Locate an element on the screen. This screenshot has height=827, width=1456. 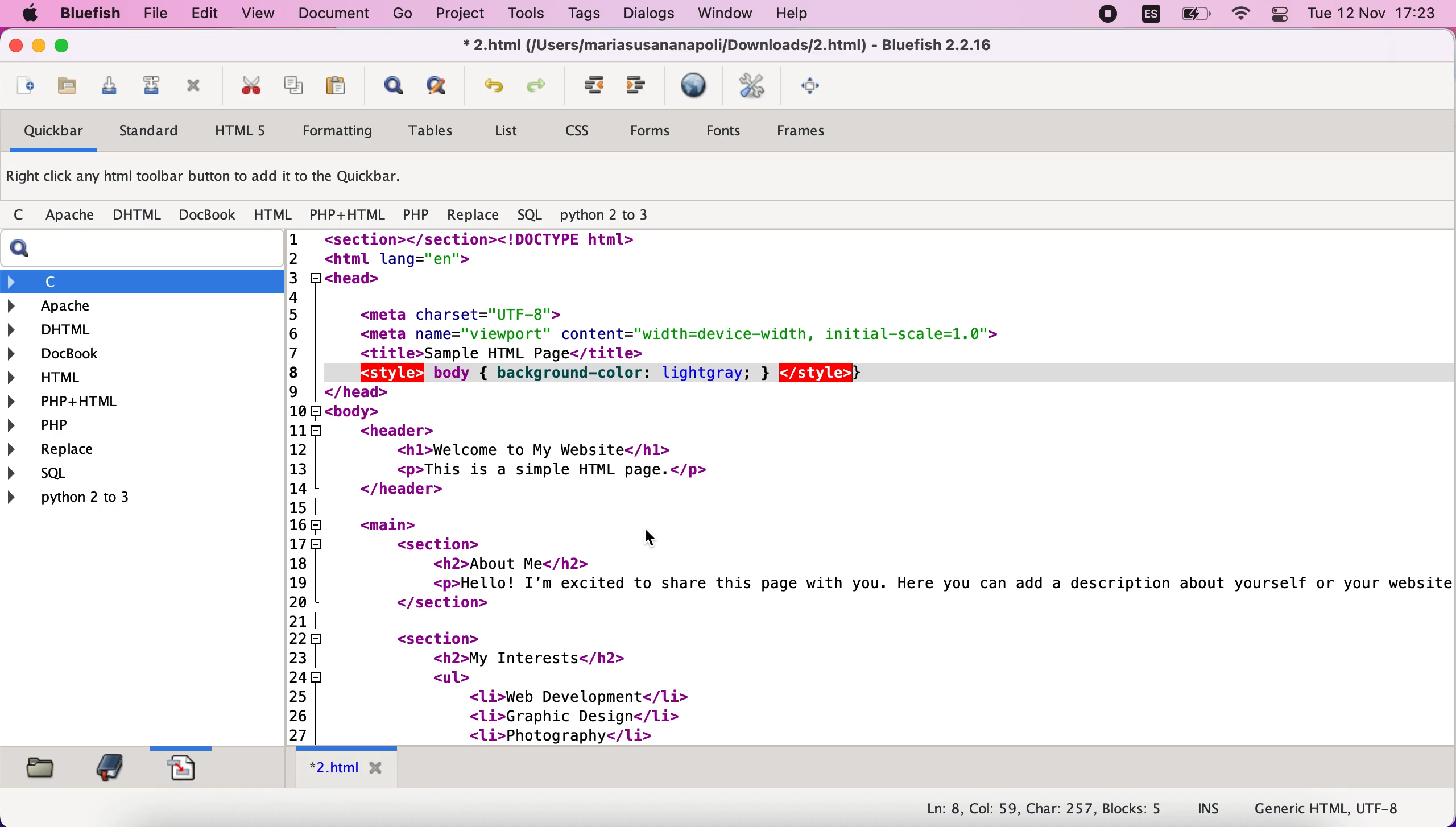
close is located at coordinates (15, 46).